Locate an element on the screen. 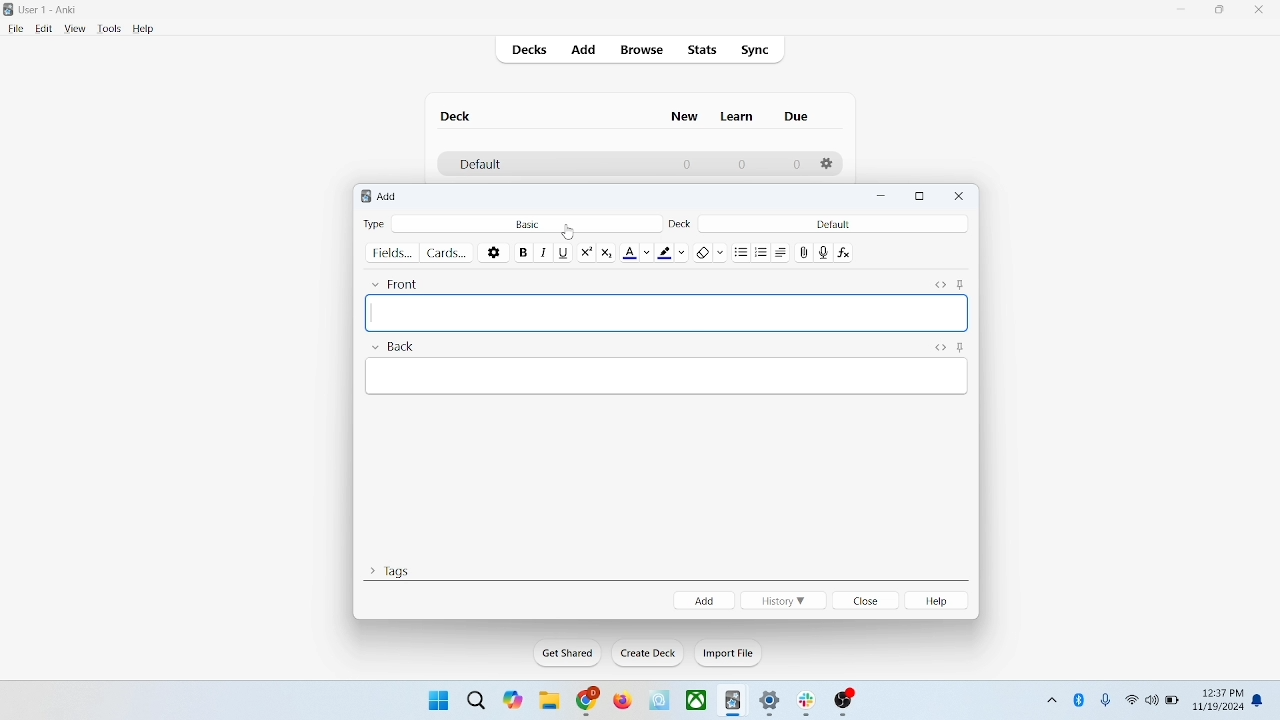 This screenshot has width=1280, height=720. bold is located at coordinates (522, 252).